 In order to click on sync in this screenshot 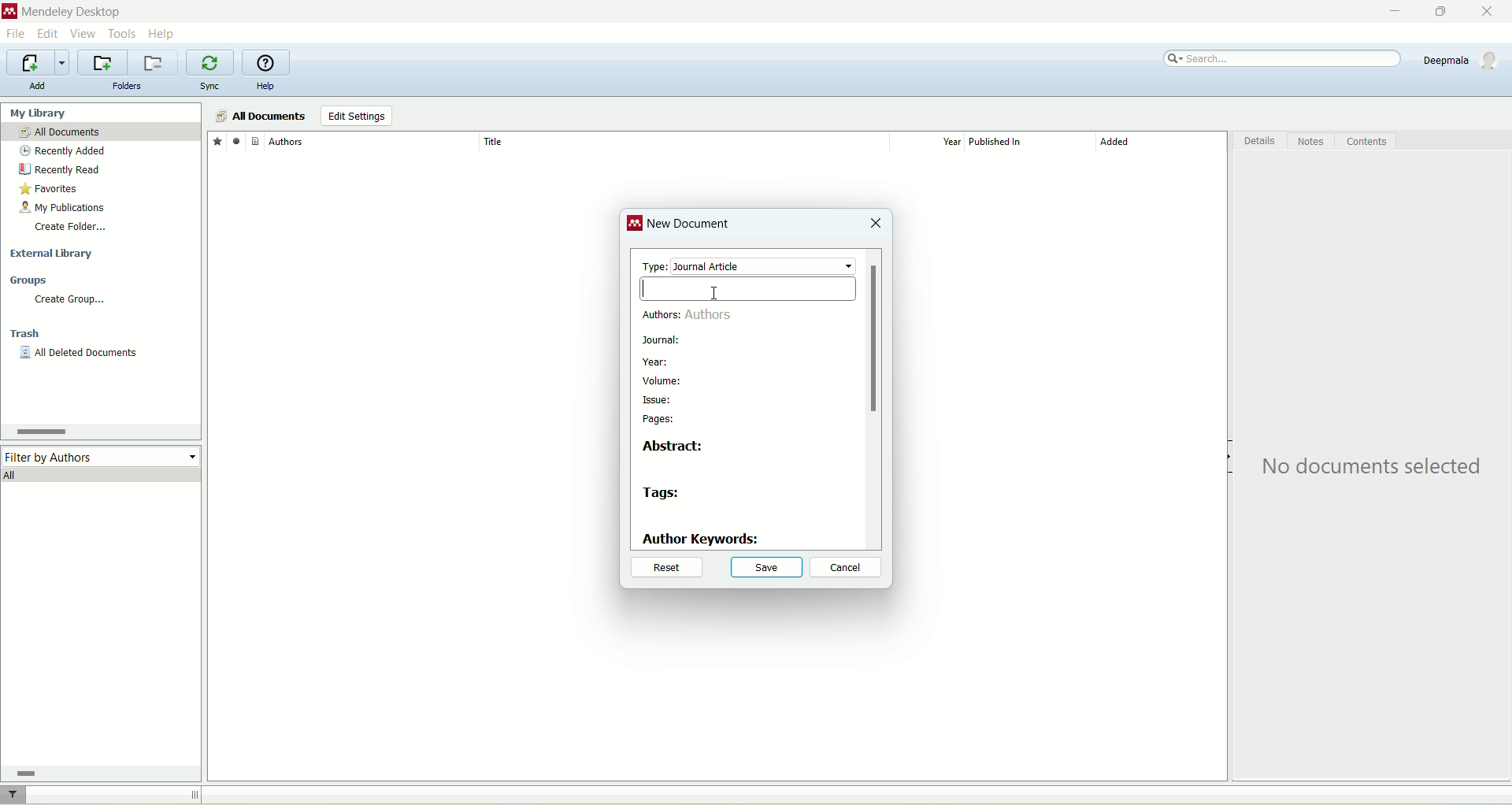, I will do `click(212, 87)`.